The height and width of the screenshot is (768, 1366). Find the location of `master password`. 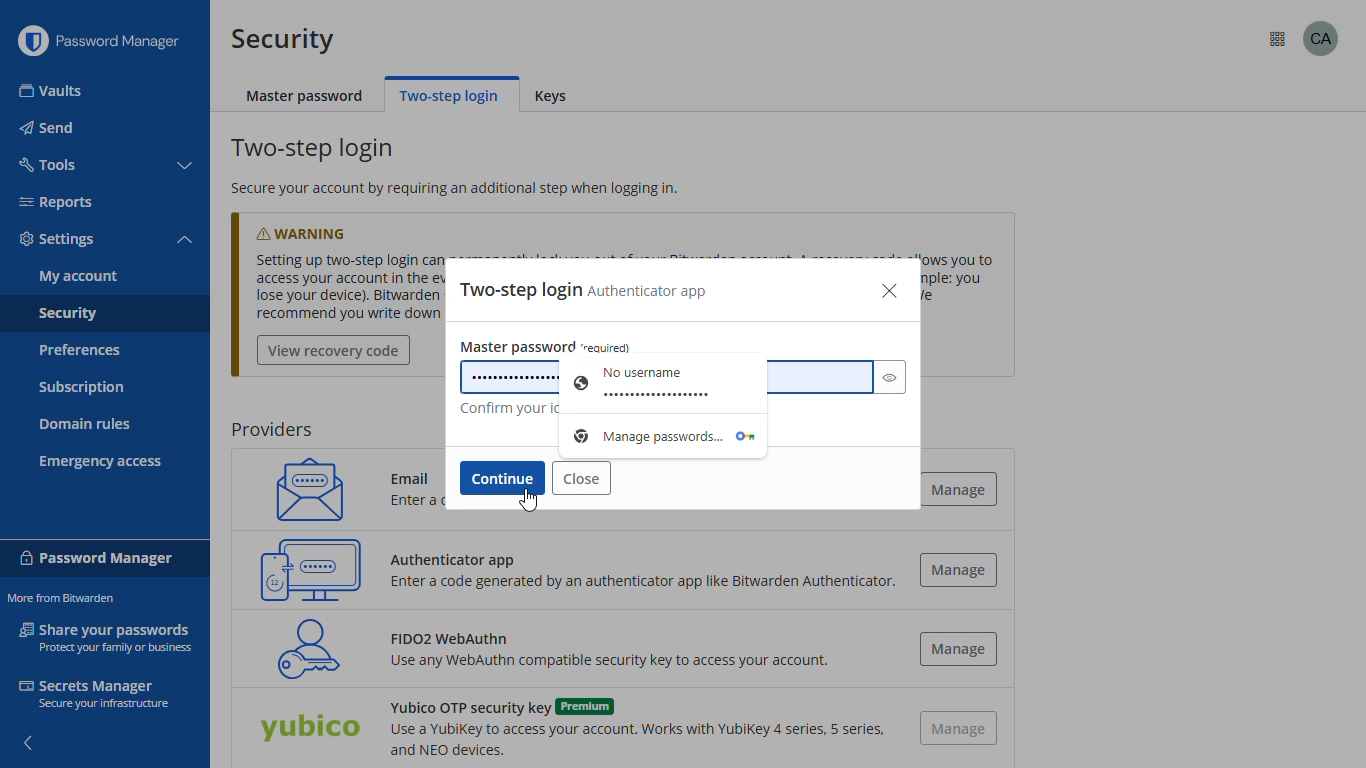

master password is located at coordinates (506, 376).